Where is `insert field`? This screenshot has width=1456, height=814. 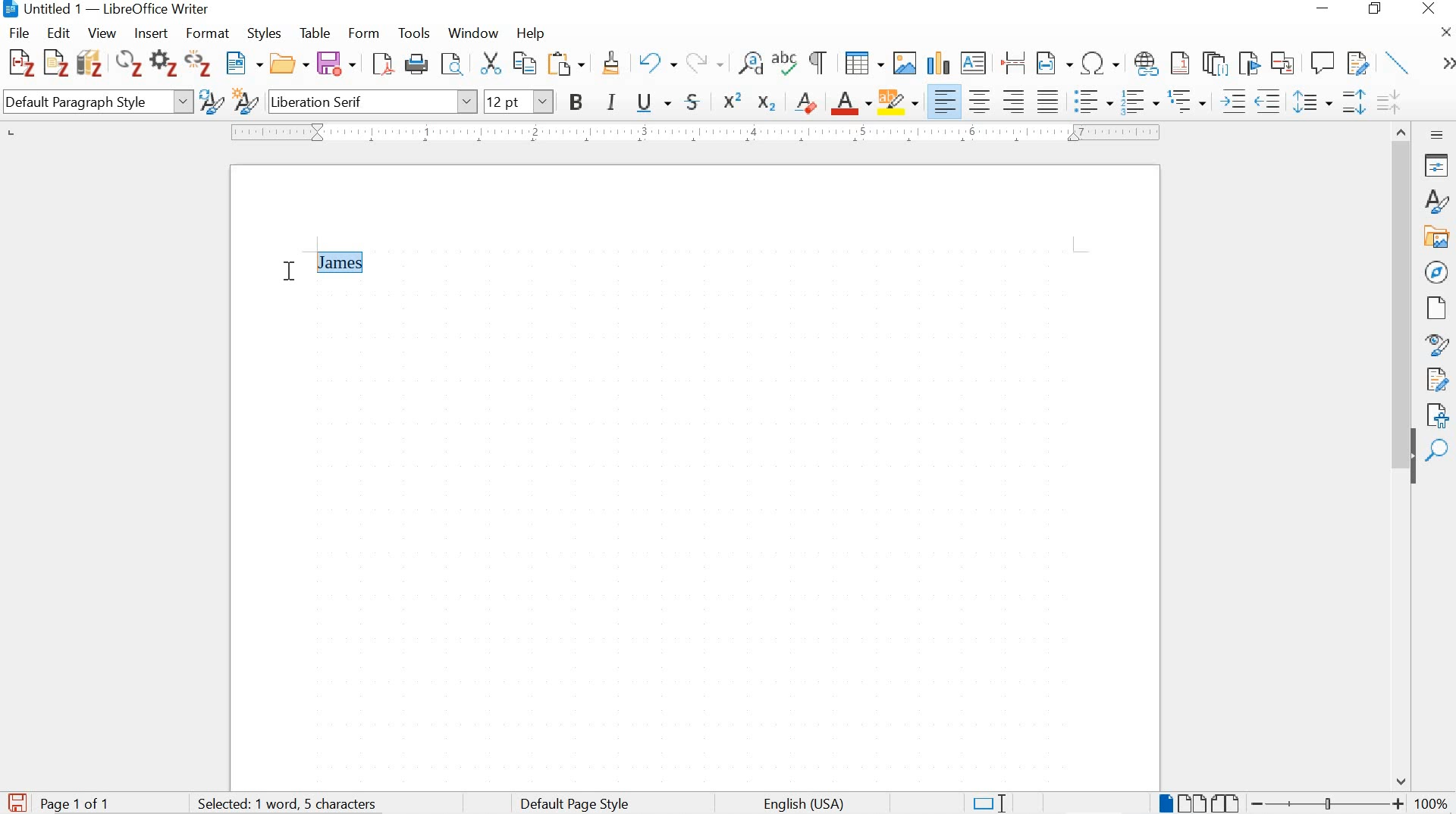 insert field is located at coordinates (1054, 64).